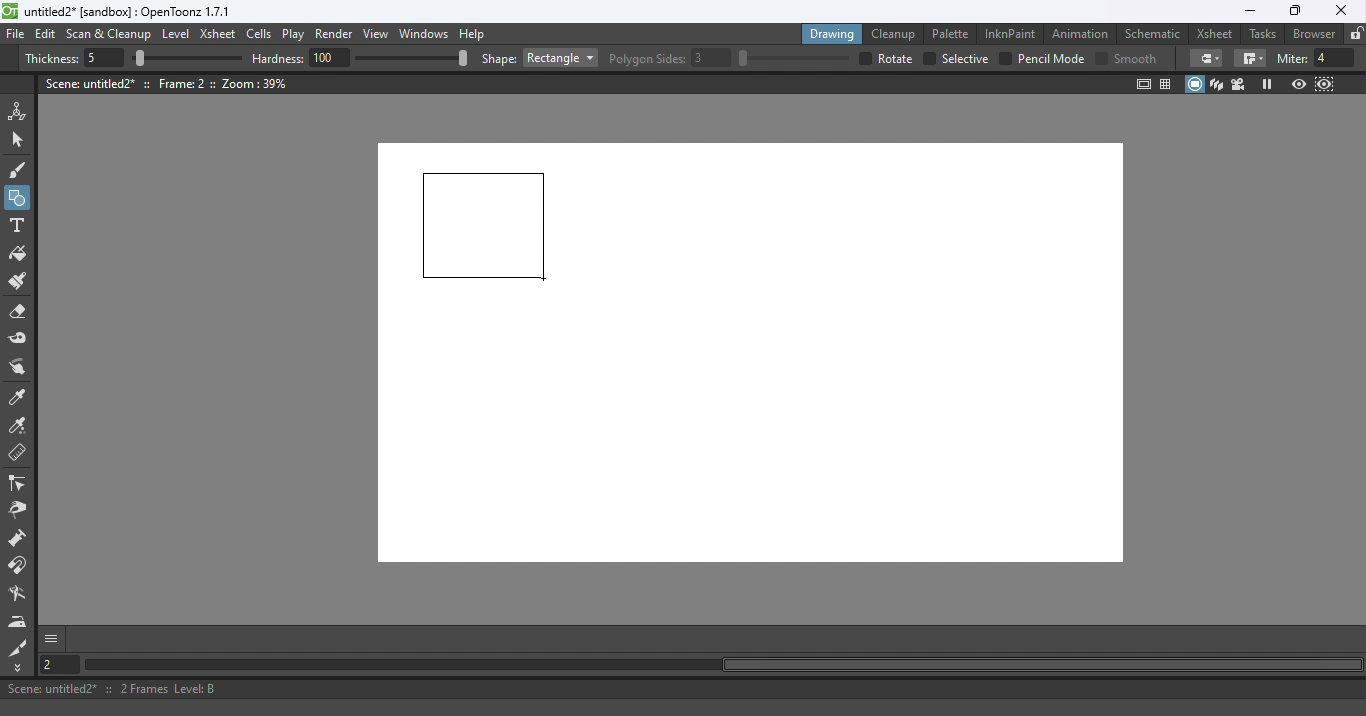 The image size is (1366, 716). What do you see at coordinates (1206, 58) in the screenshot?
I see `Border corners` at bounding box center [1206, 58].